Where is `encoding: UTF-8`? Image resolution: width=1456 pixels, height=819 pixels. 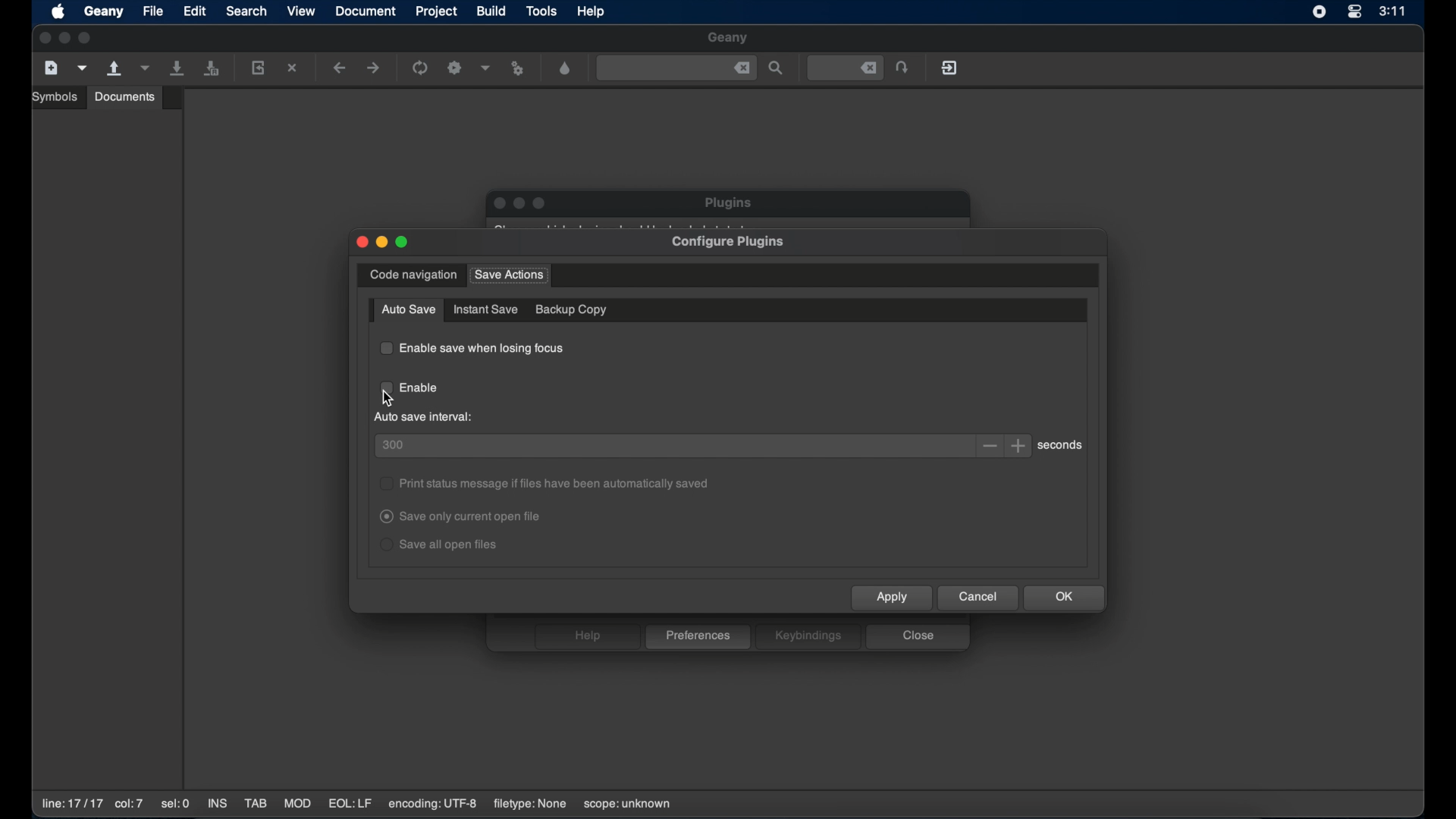
encoding: UTF-8 is located at coordinates (433, 804).